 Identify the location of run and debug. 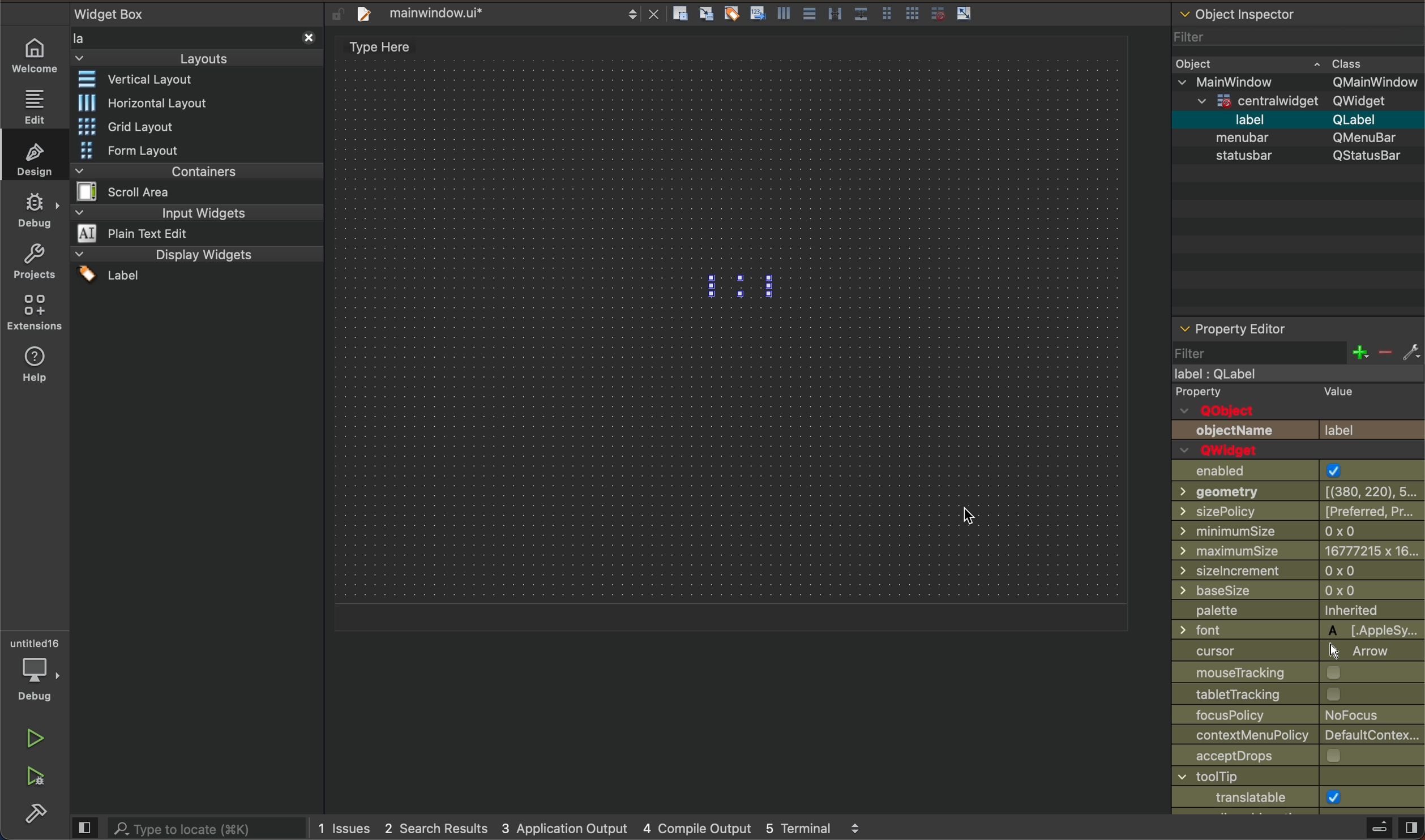
(37, 778).